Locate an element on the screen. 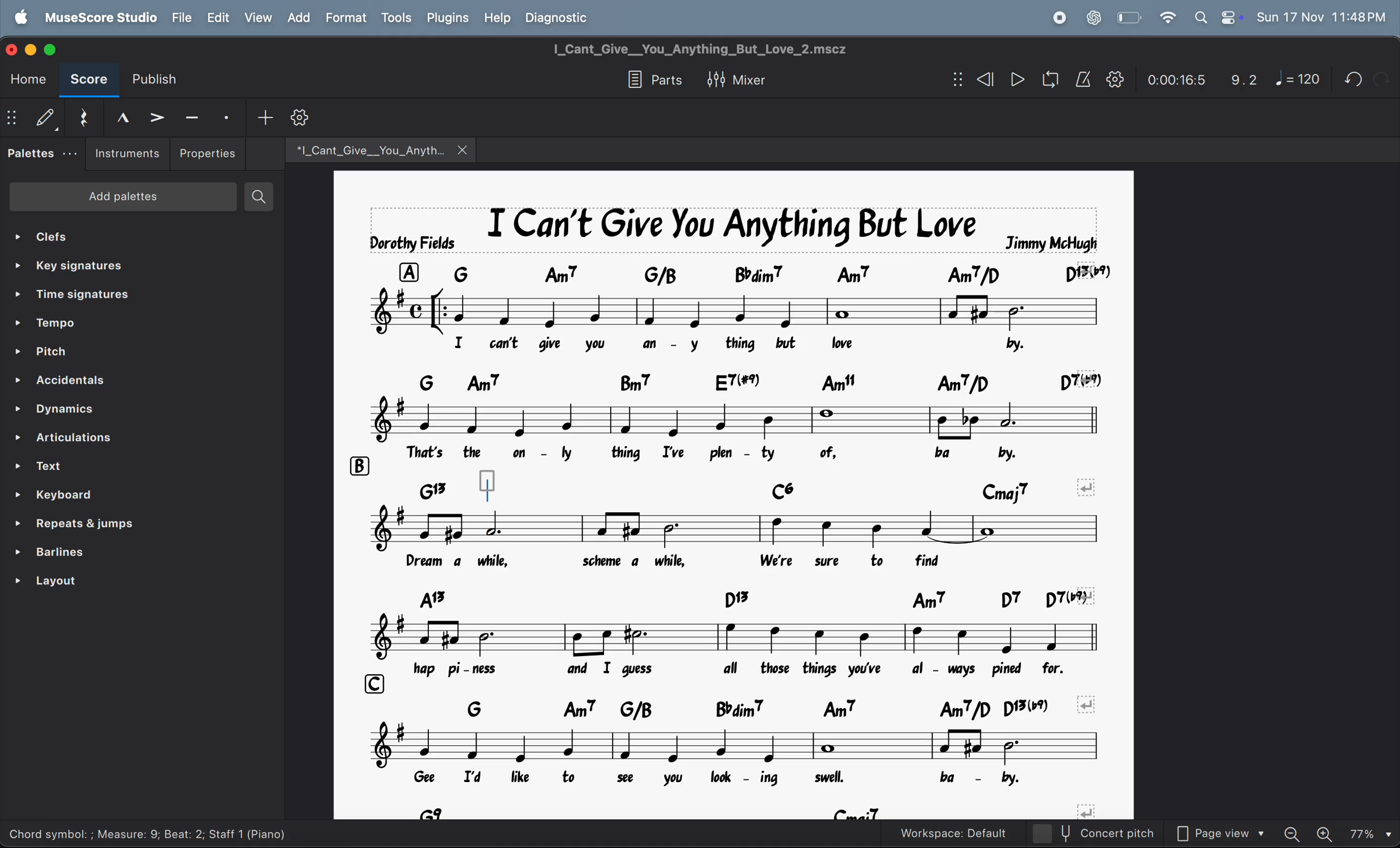 The height and width of the screenshot is (848, 1400). parts is located at coordinates (649, 81).